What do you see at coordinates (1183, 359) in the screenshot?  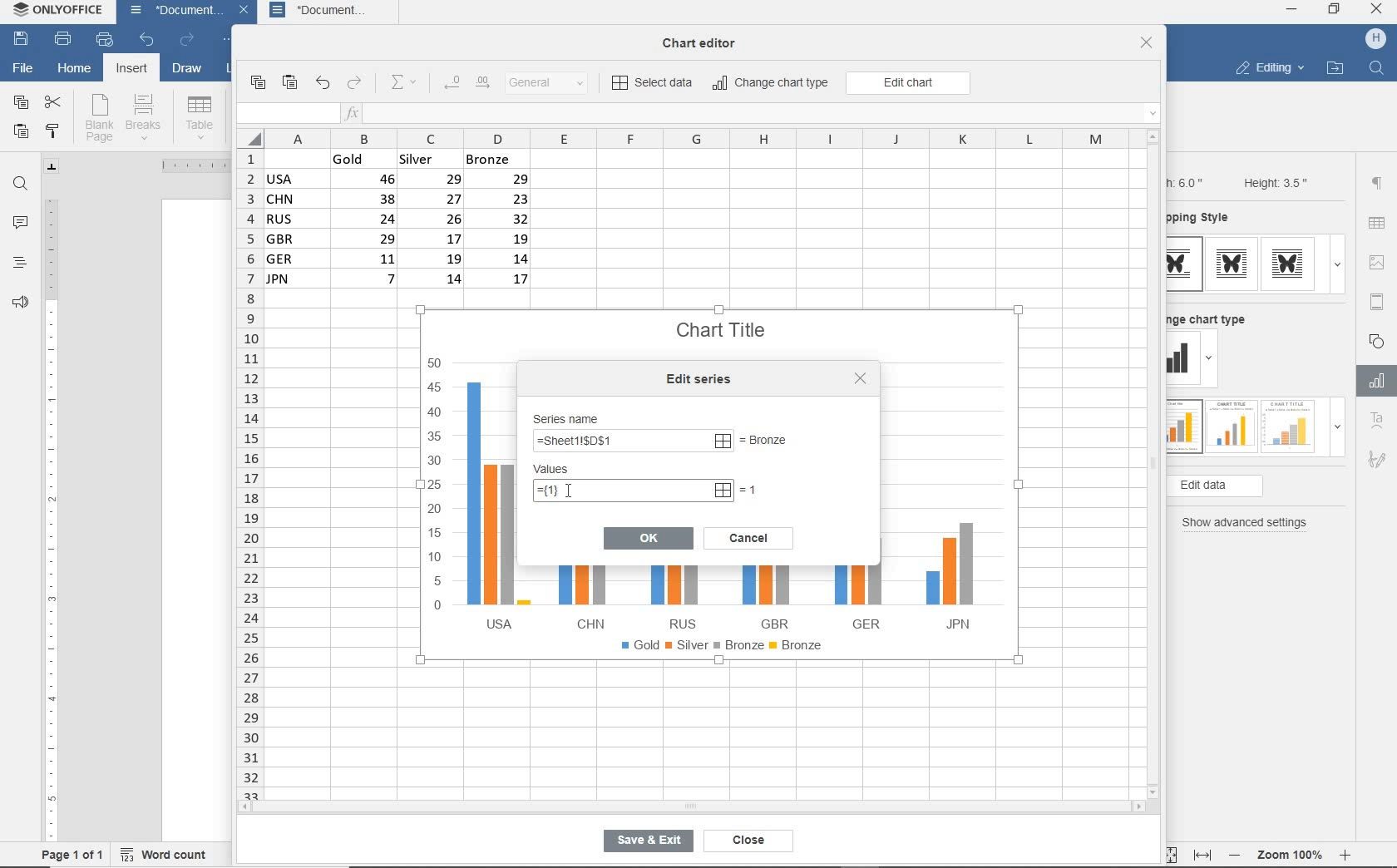 I see `change type` at bounding box center [1183, 359].